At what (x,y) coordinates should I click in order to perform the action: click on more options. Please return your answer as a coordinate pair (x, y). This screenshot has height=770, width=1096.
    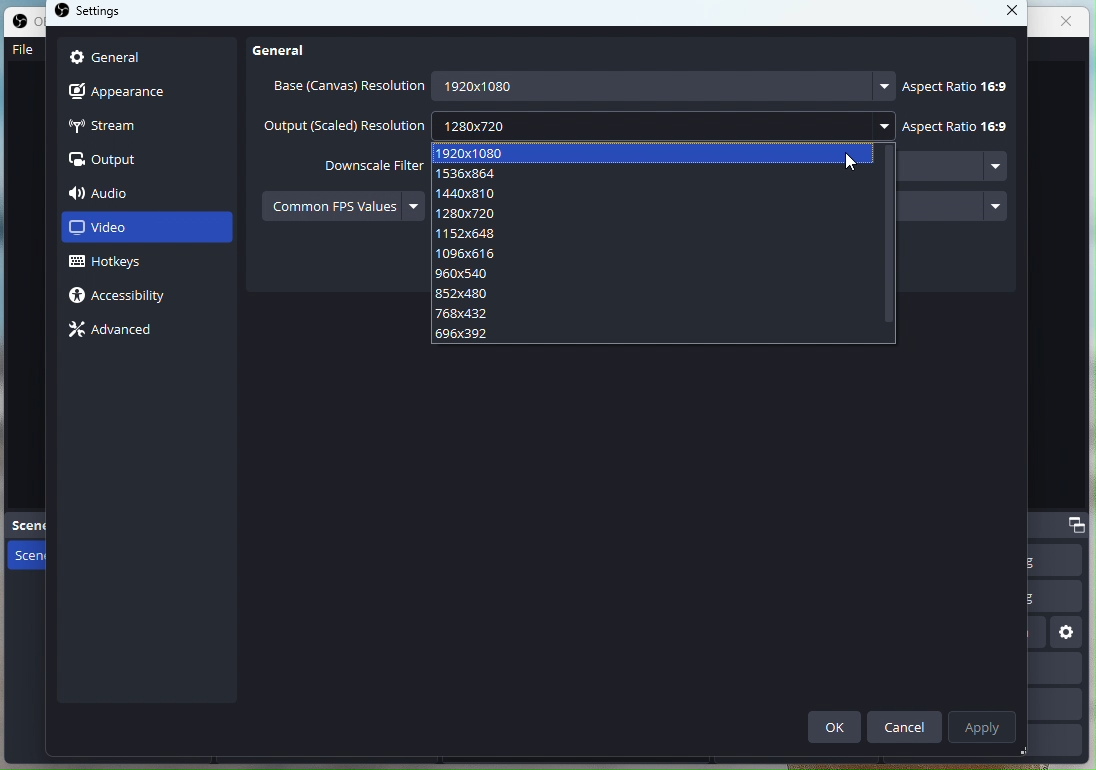
    Looking at the image, I should click on (995, 204).